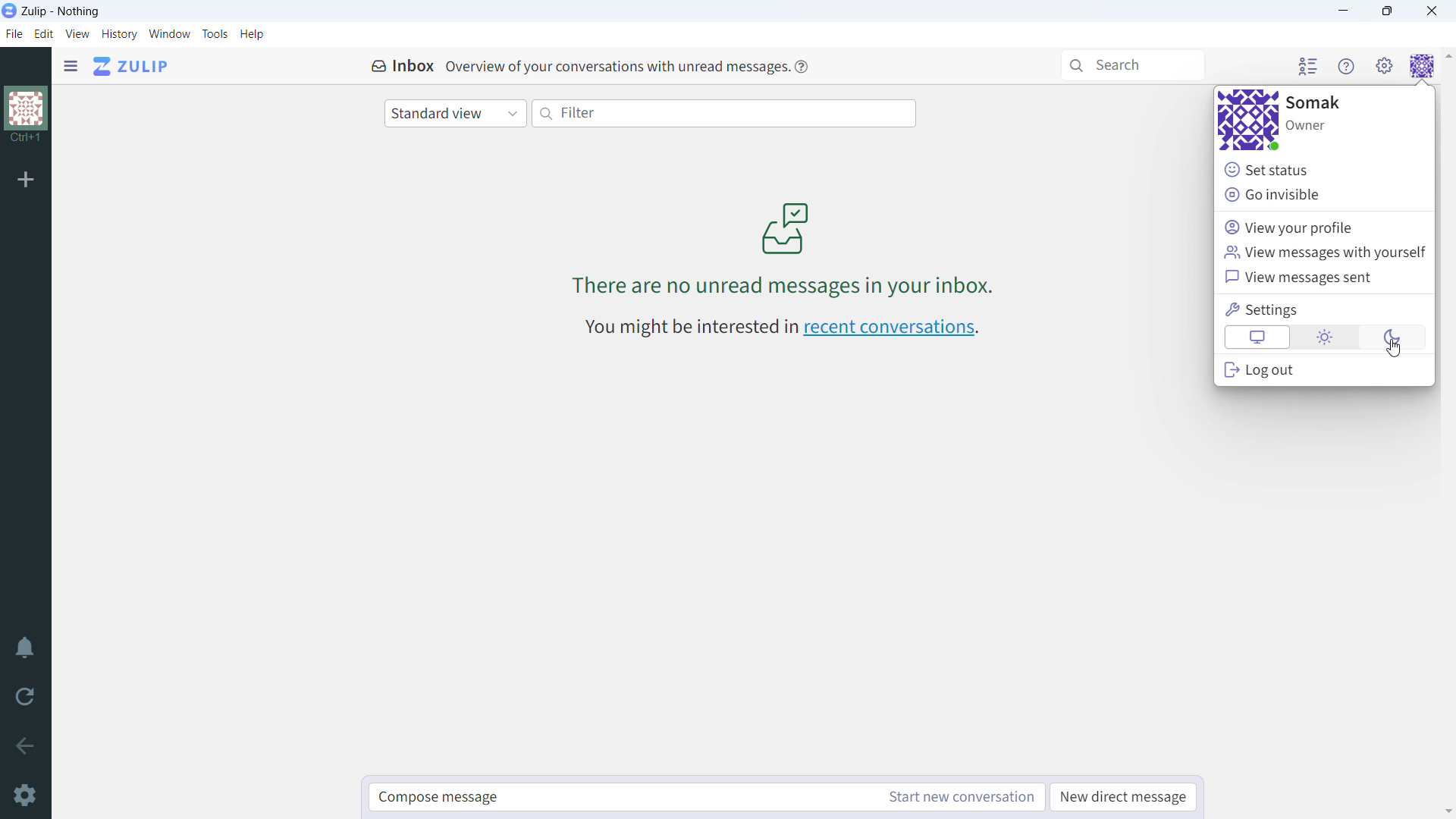  What do you see at coordinates (24, 648) in the screenshot?
I see `enable do not disturb` at bounding box center [24, 648].